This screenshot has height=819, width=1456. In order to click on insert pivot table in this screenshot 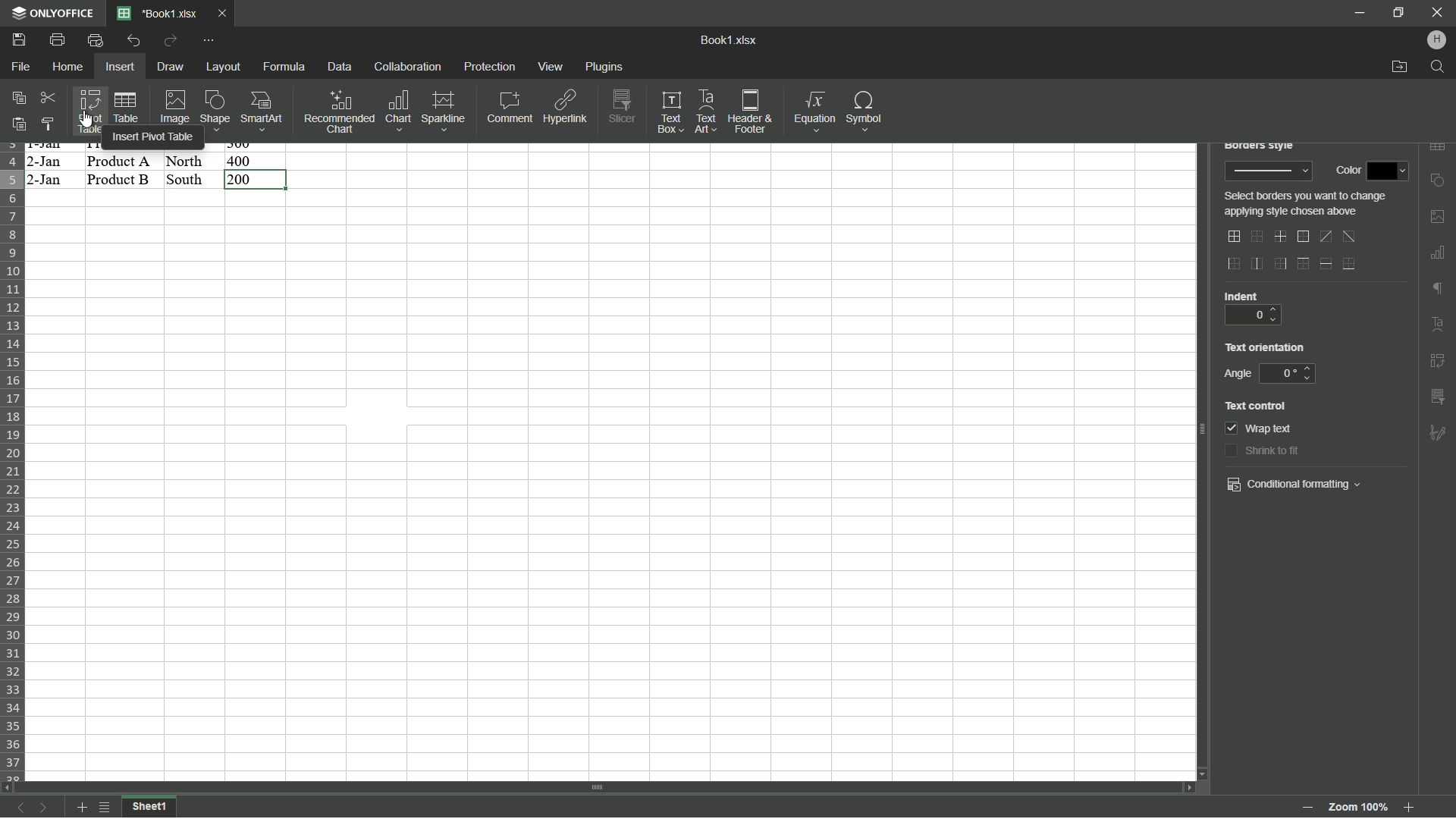, I will do `click(157, 140)`.